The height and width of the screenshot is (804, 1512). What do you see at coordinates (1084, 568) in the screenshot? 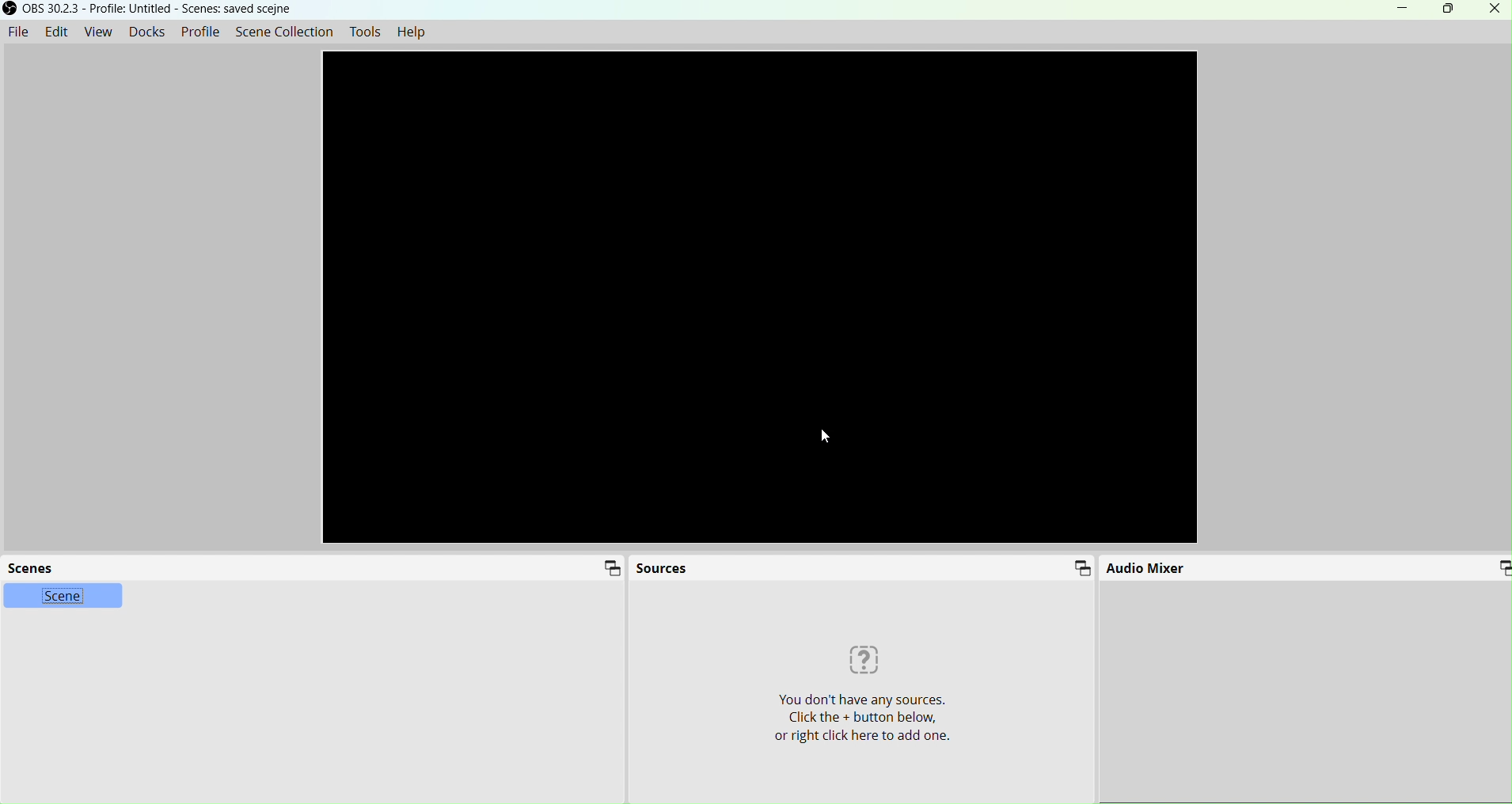
I see `Minimize` at bounding box center [1084, 568].